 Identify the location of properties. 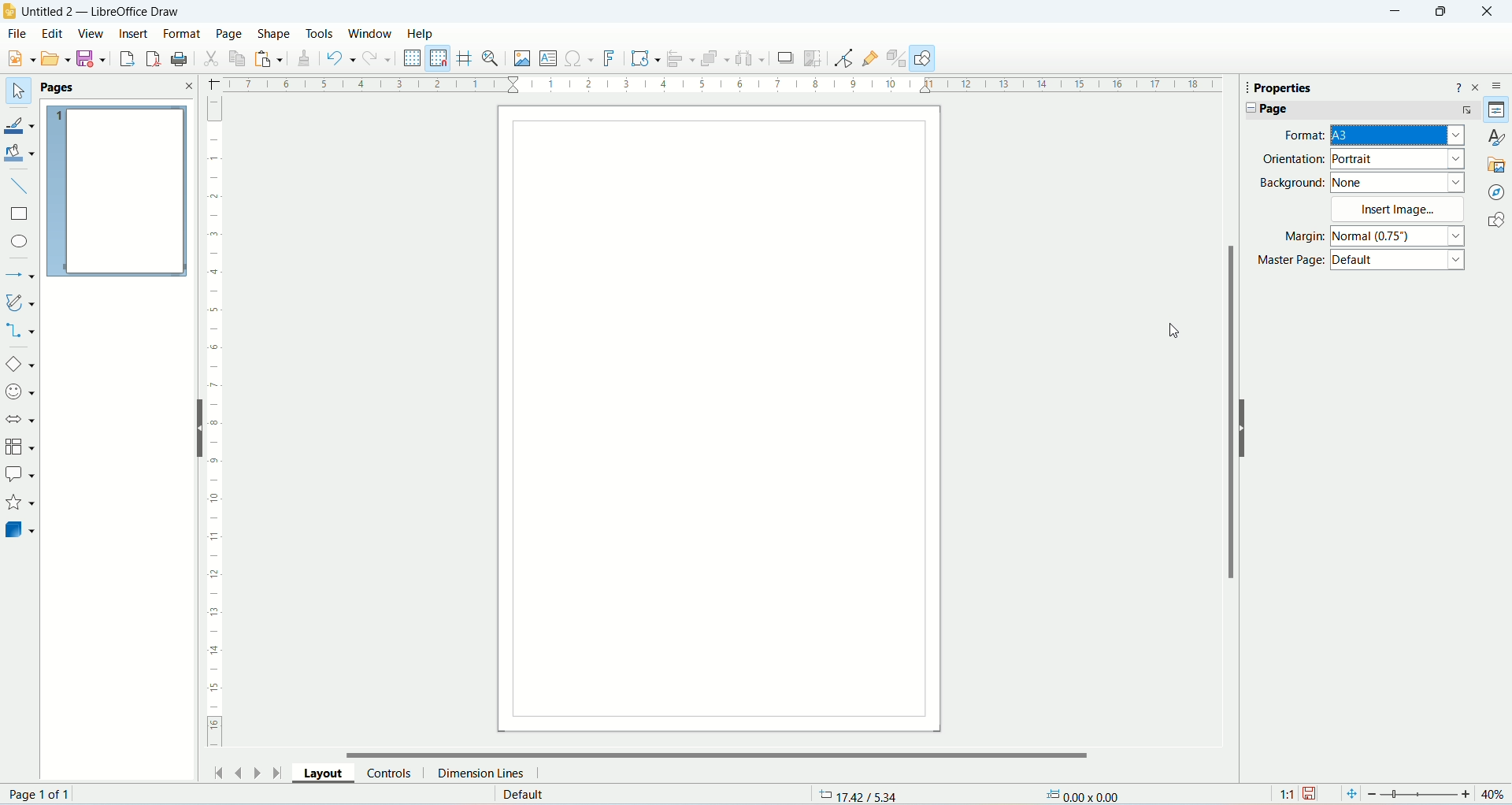
(1496, 108).